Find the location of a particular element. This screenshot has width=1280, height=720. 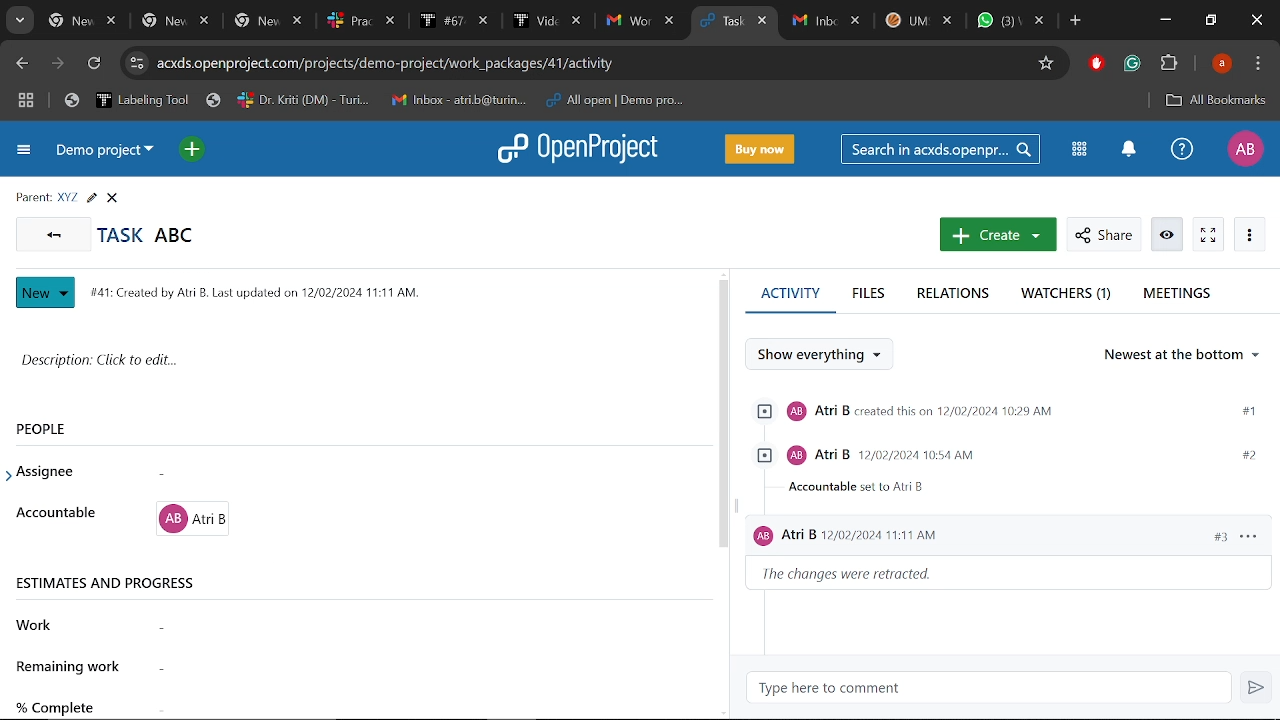

activity history: Atri B 12/02/2024 11:11 AM  is located at coordinates (1010, 540).